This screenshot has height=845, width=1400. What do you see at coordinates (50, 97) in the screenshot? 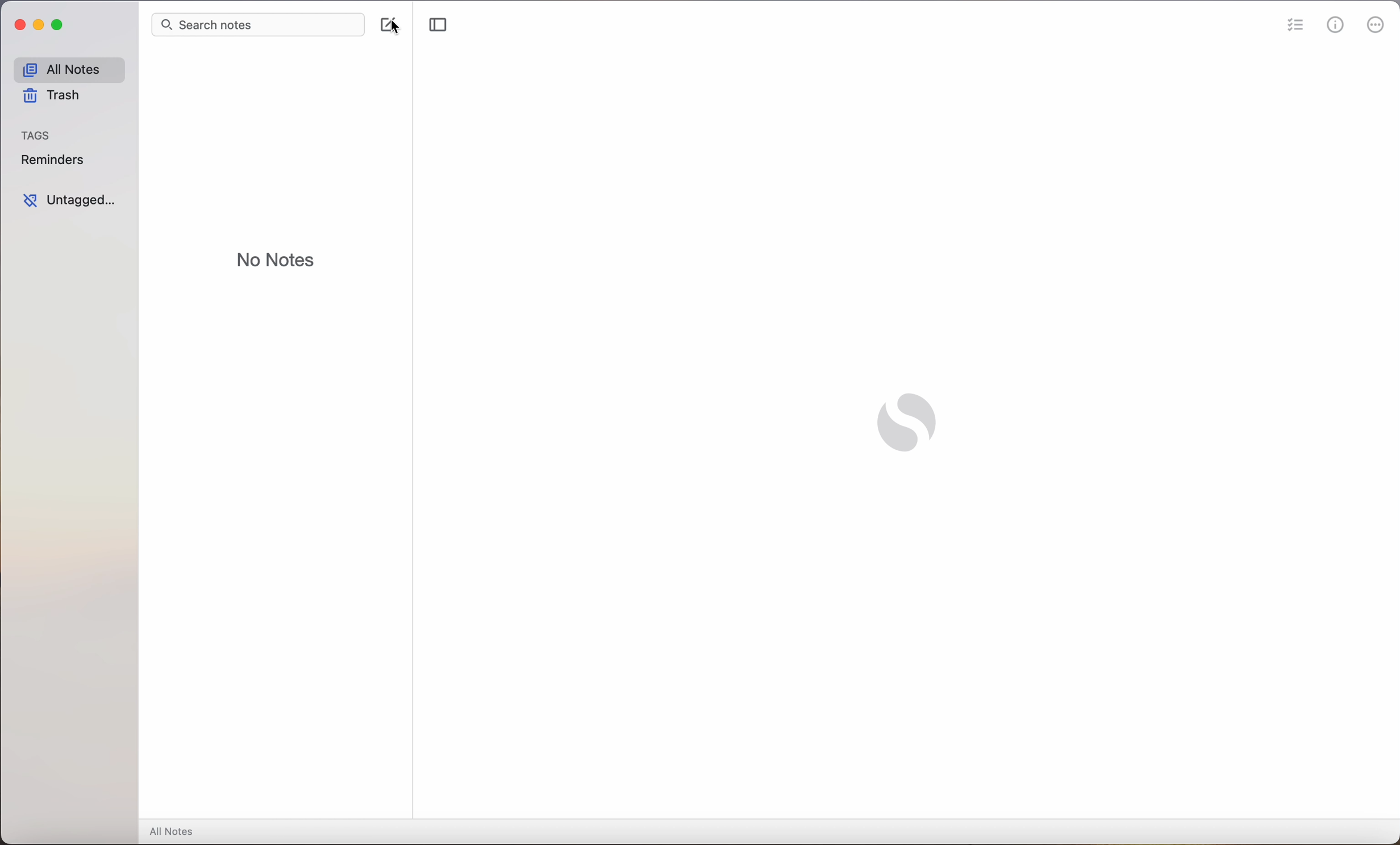
I see `trash` at bounding box center [50, 97].